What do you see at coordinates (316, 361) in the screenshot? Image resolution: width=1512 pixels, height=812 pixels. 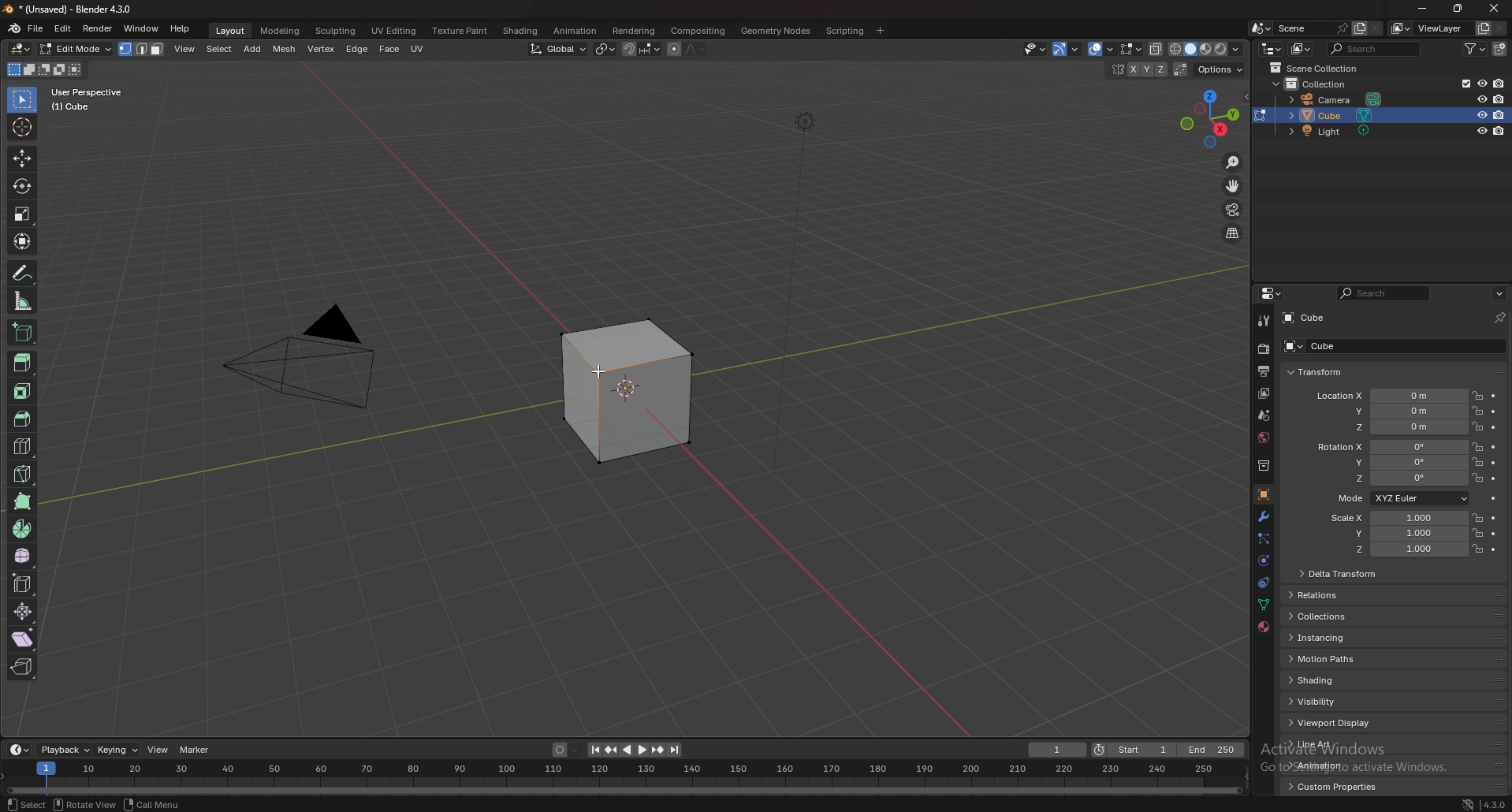 I see `camera` at bounding box center [316, 361].